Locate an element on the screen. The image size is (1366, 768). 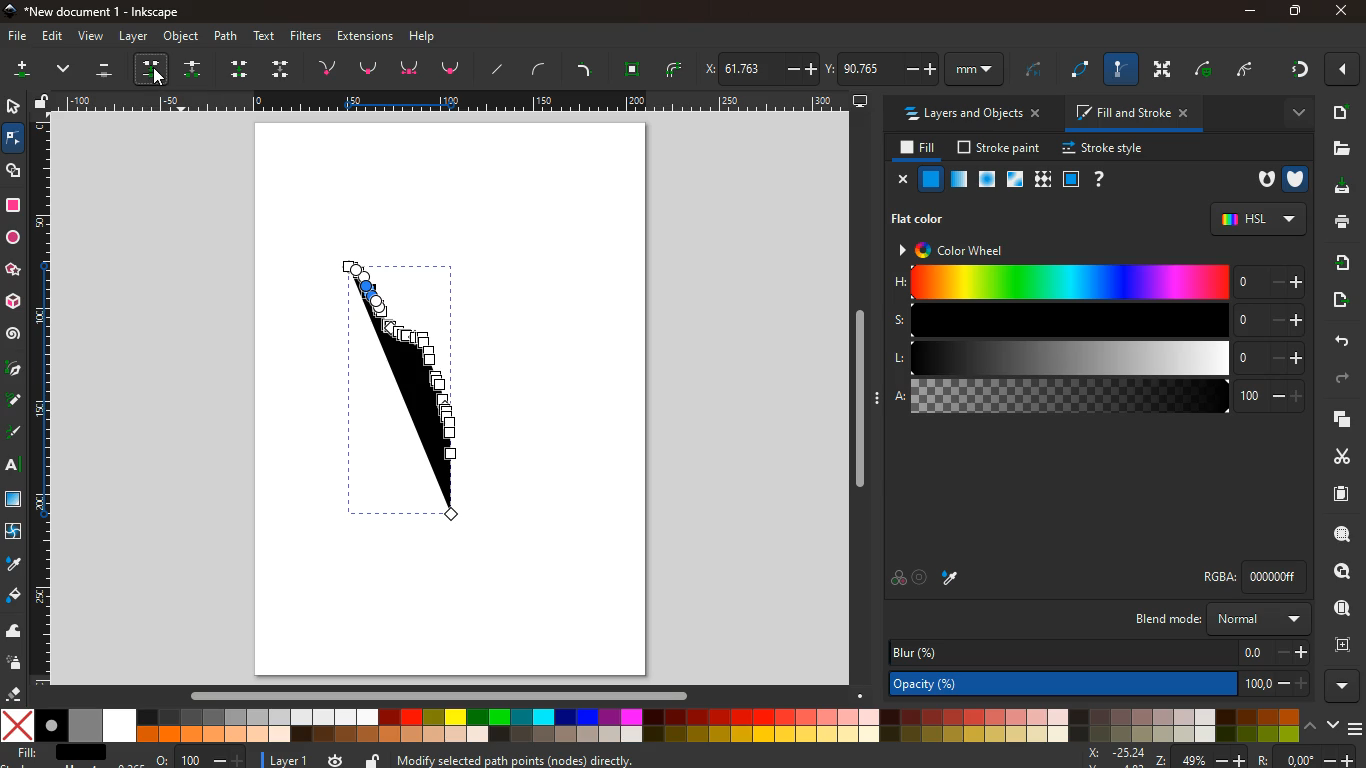
help is located at coordinates (1097, 179).